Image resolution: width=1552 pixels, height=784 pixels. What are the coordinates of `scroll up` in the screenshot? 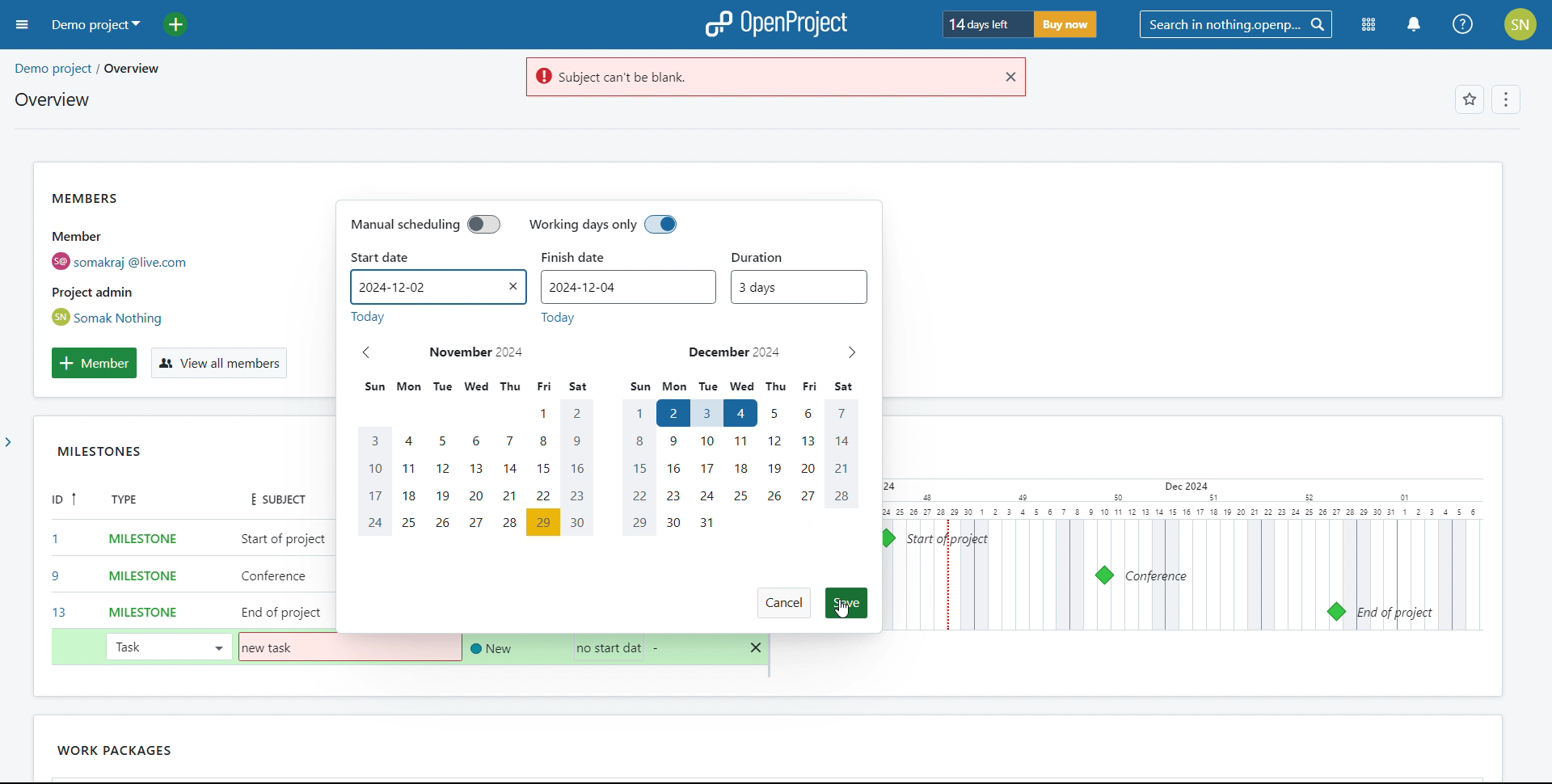 It's located at (1541, 57).